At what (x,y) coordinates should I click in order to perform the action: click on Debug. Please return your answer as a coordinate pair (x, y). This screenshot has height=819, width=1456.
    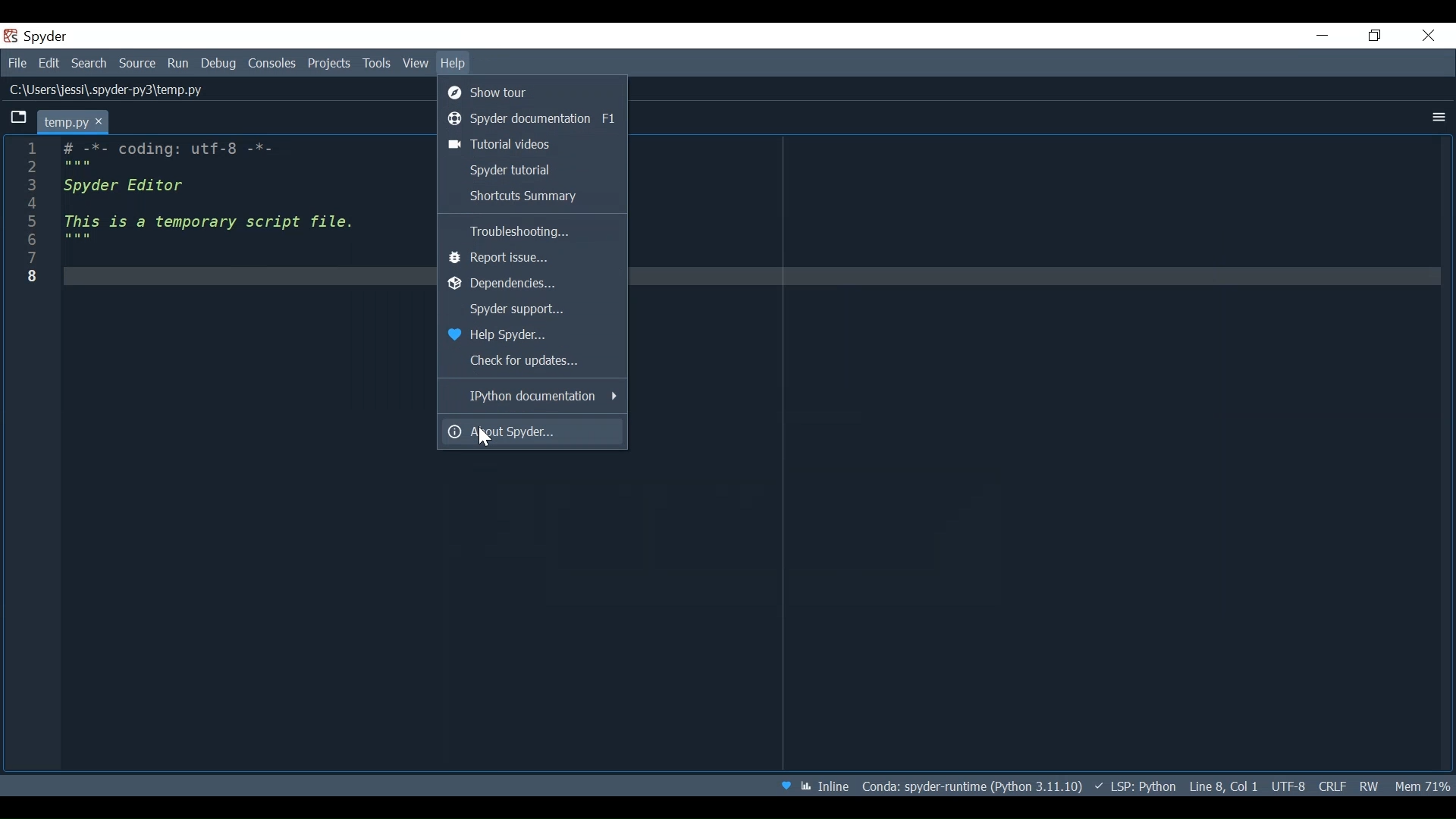
    Looking at the image, I should click on (218, 64).